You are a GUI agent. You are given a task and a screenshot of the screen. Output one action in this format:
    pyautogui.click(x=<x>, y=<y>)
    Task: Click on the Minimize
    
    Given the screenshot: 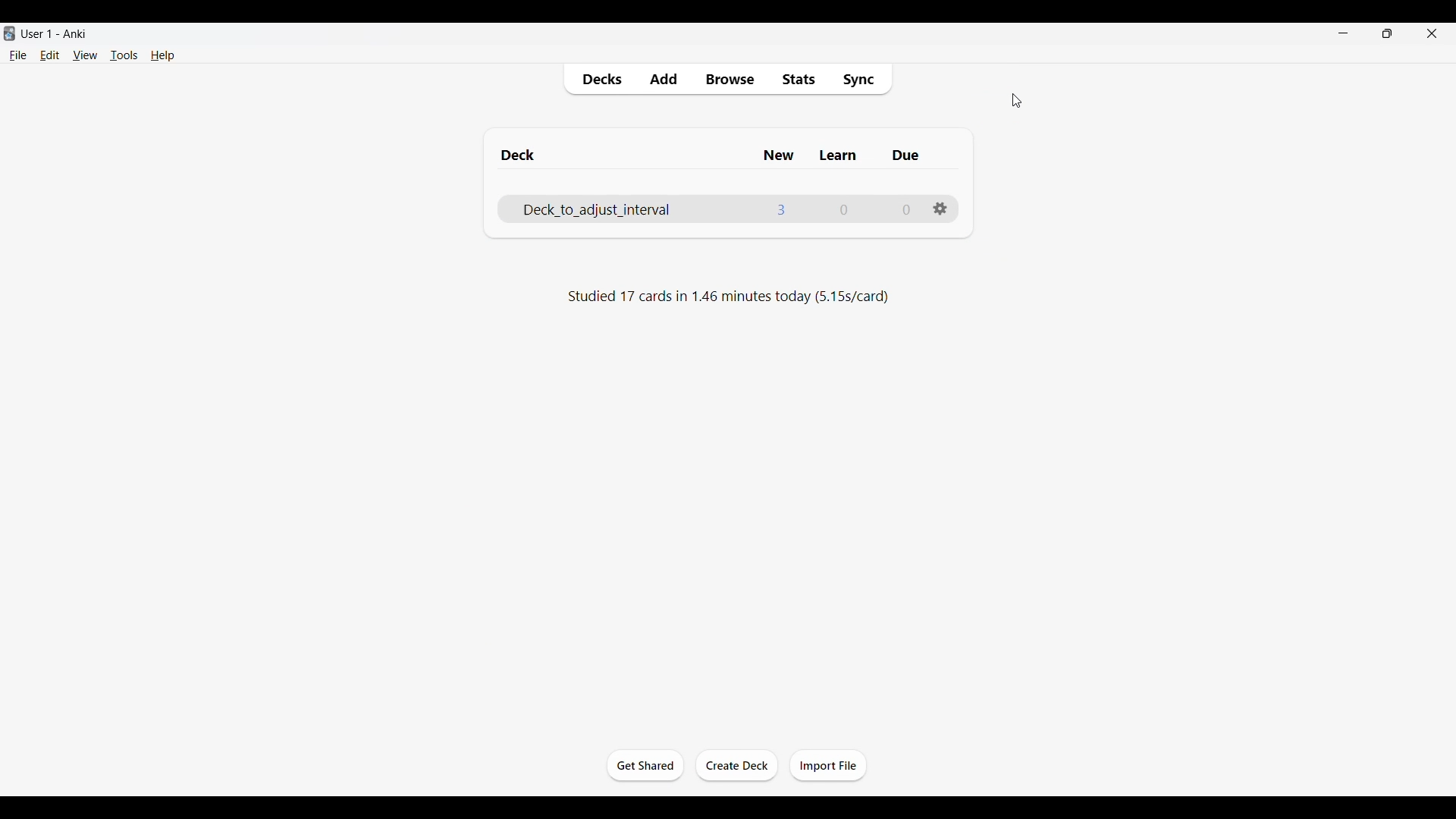 What is the action you would take?
    pyautogui.click(x=1344, y=33)
    